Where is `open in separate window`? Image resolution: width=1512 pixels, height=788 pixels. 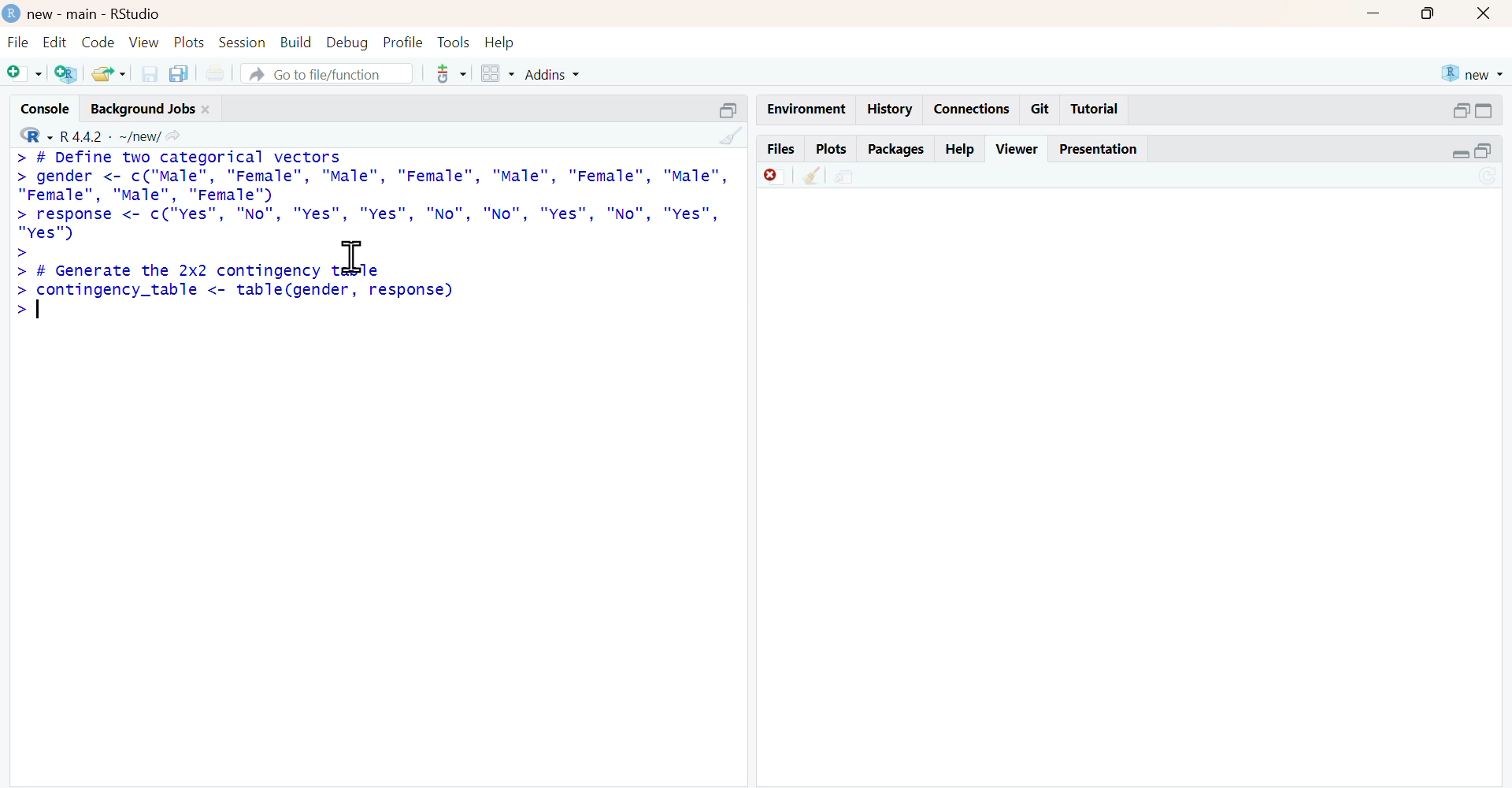
open in separate window is located at coordinates (1462, 110).